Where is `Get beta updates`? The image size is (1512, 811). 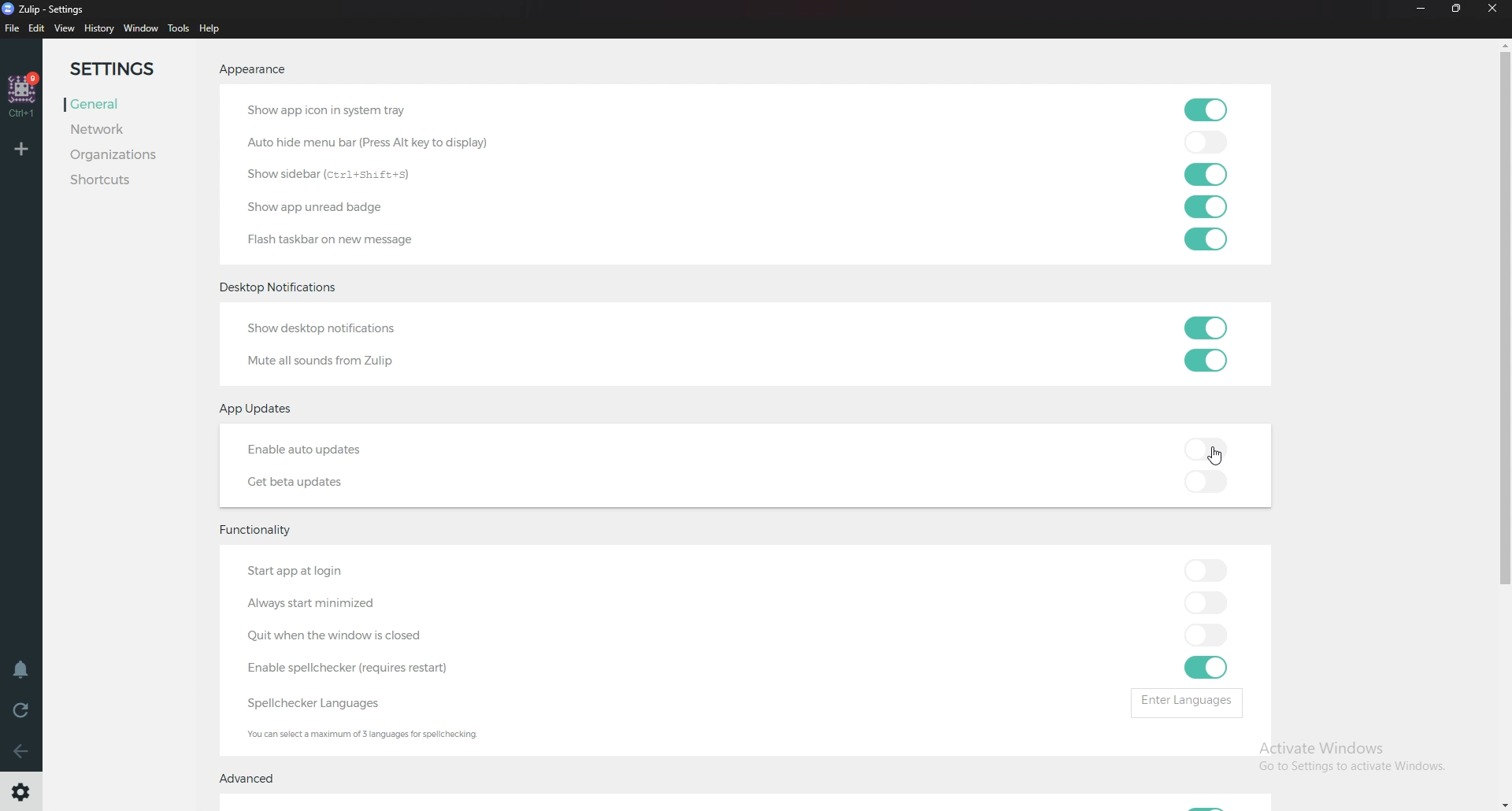
Get beta updates is located at coordinates (306, 483).